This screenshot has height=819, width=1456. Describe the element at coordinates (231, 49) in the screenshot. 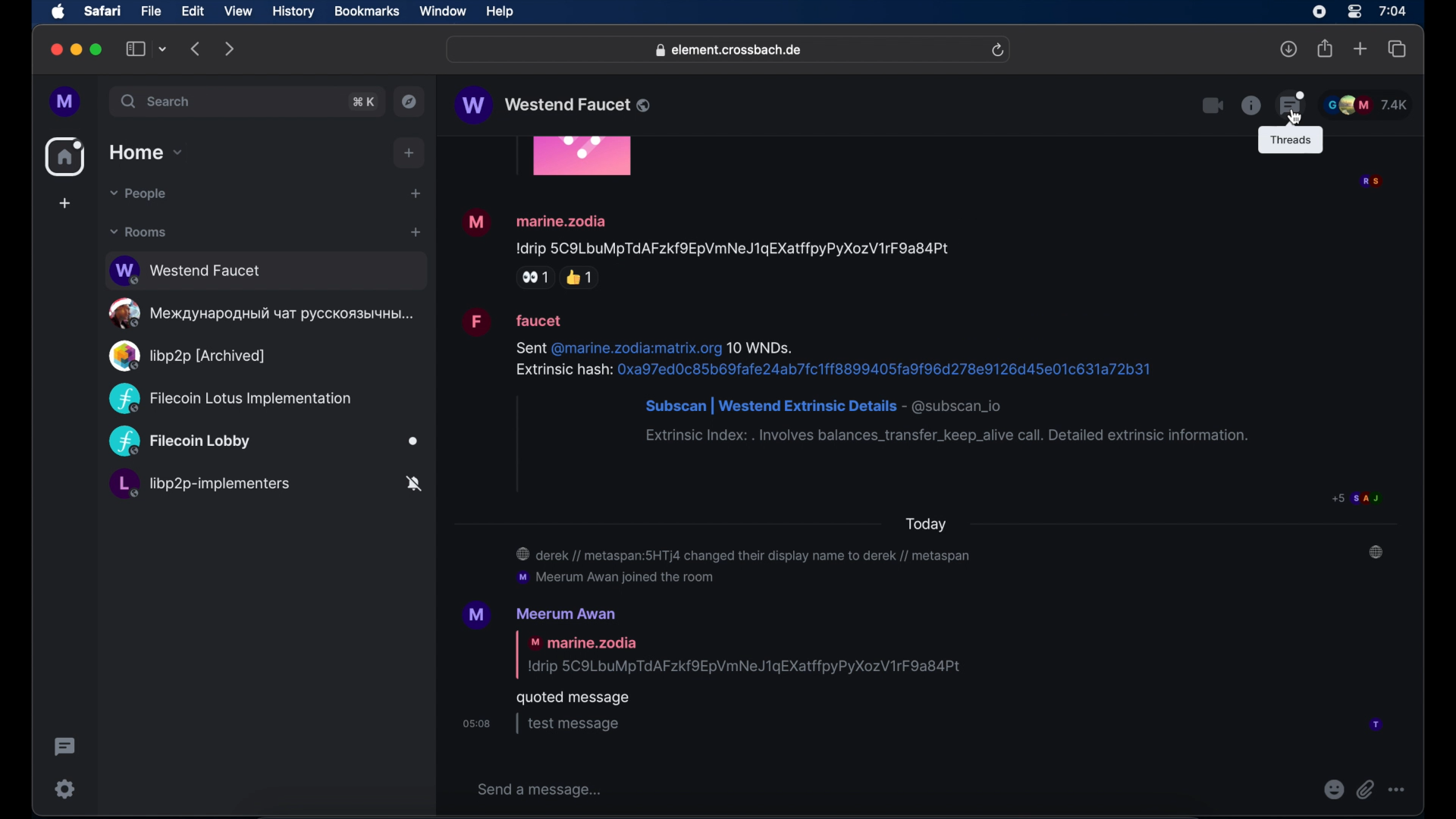

I see `forward` at that location.